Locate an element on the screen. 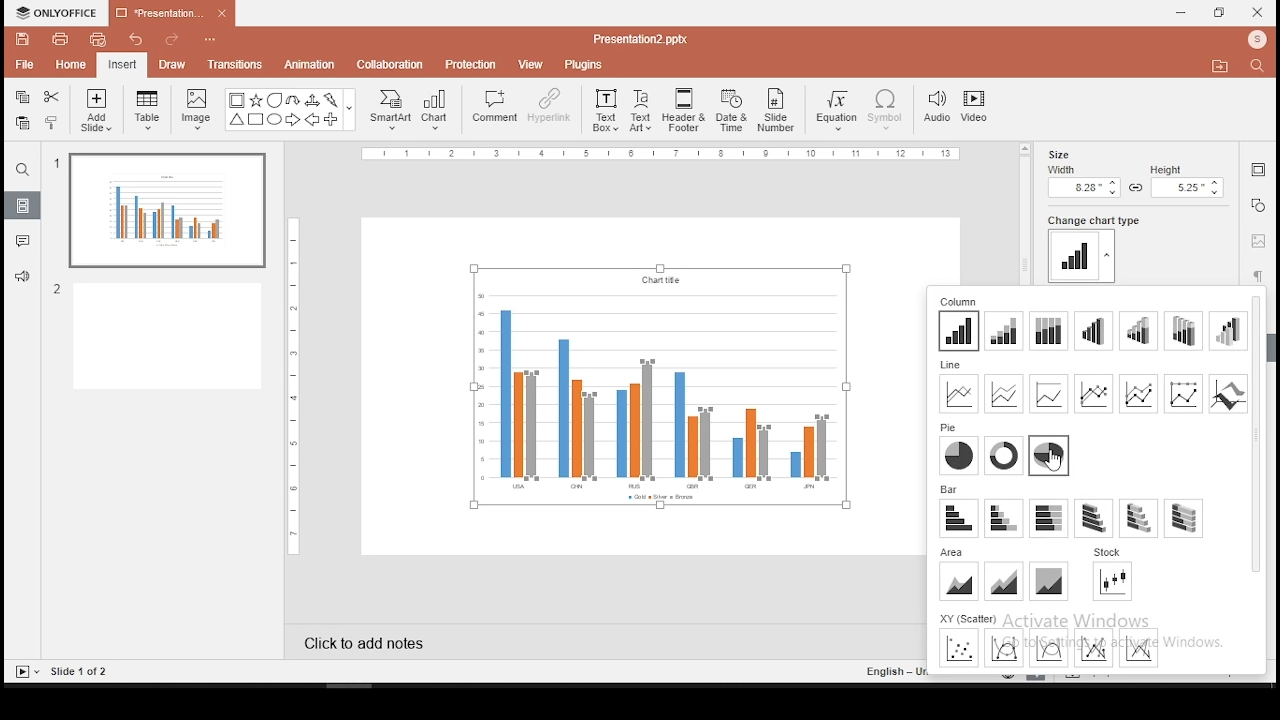 This screenshot has width=1280, height=720. line 4 is located at coordinates (1094, 393).